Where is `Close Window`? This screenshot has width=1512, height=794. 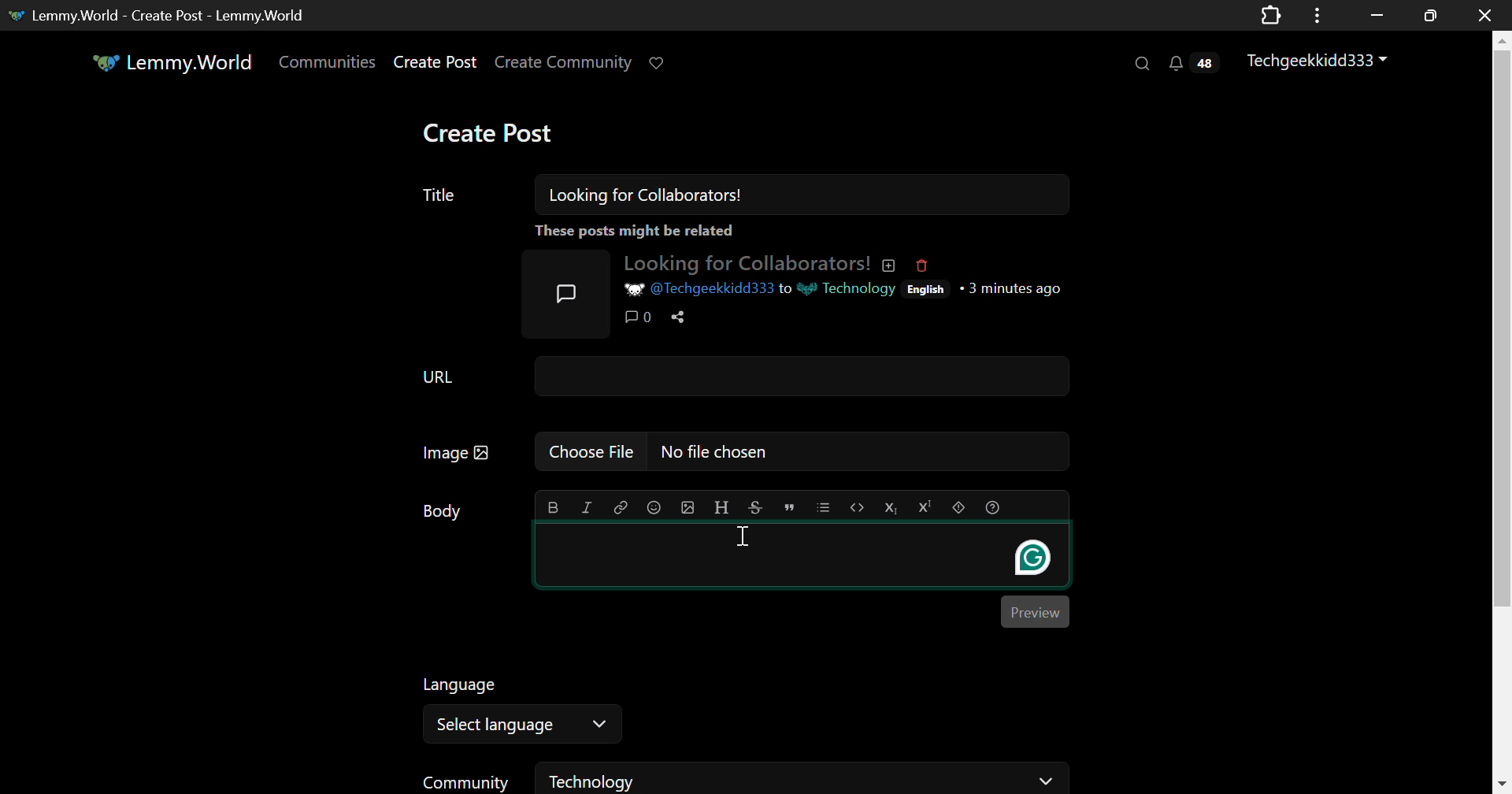
Close Window is located at coordinates (1480, 16).